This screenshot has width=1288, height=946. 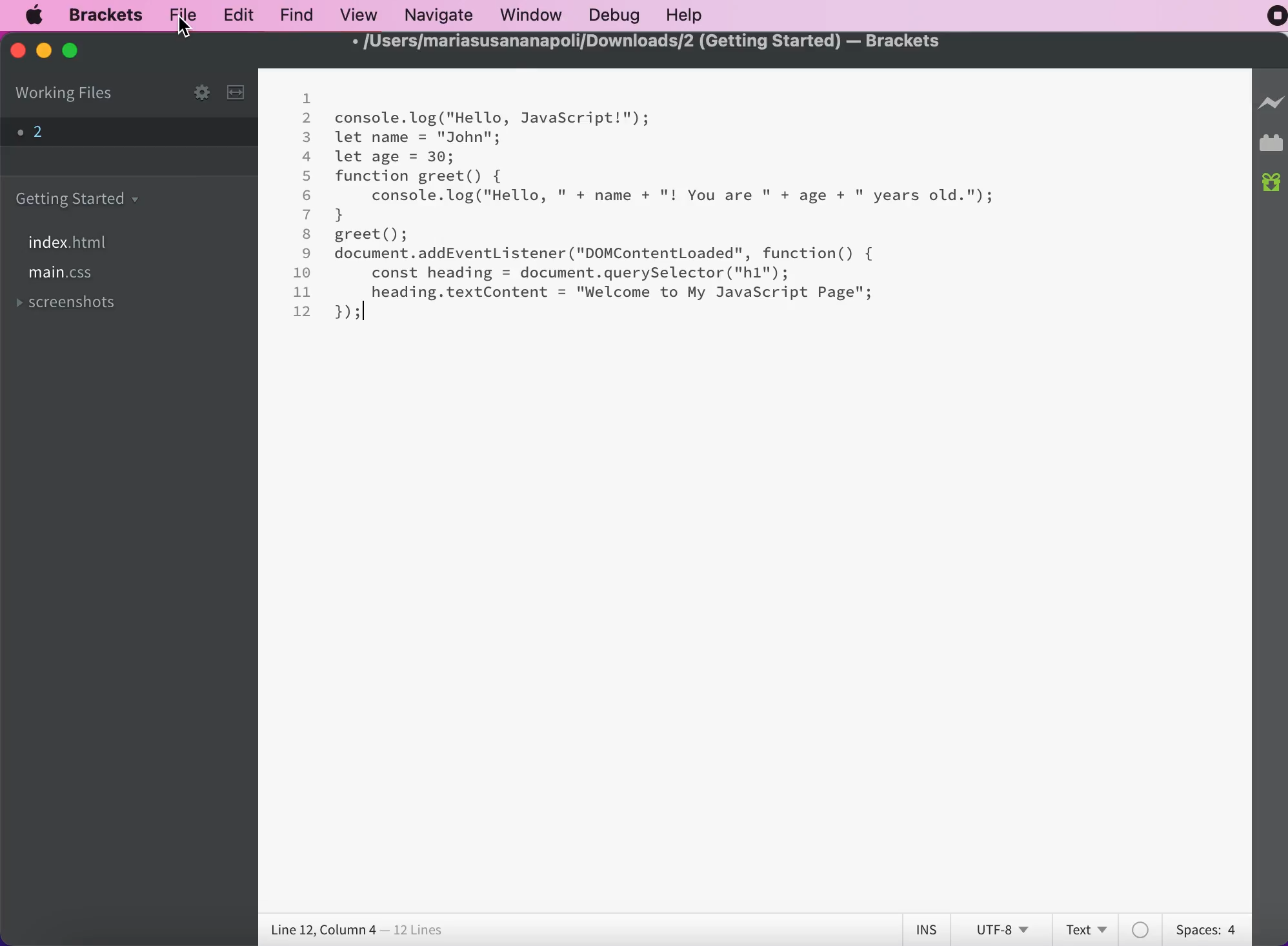 I want to click on edit, so click(x=234, y=14).